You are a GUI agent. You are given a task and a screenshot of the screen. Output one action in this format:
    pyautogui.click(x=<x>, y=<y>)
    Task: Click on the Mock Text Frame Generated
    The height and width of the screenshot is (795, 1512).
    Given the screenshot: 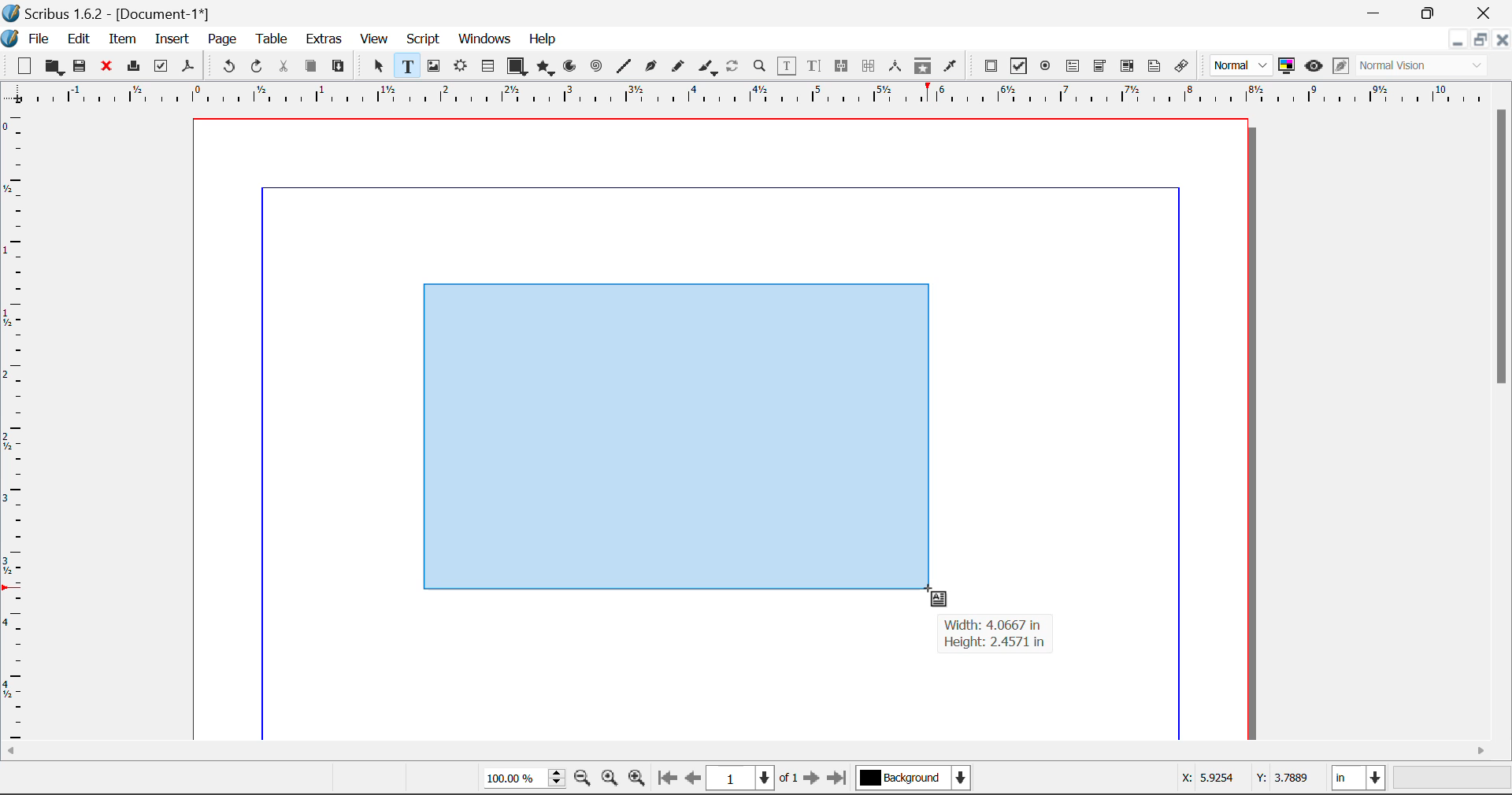 What is the action you would take?
    pyautogui.click(x=674, y=438)
    